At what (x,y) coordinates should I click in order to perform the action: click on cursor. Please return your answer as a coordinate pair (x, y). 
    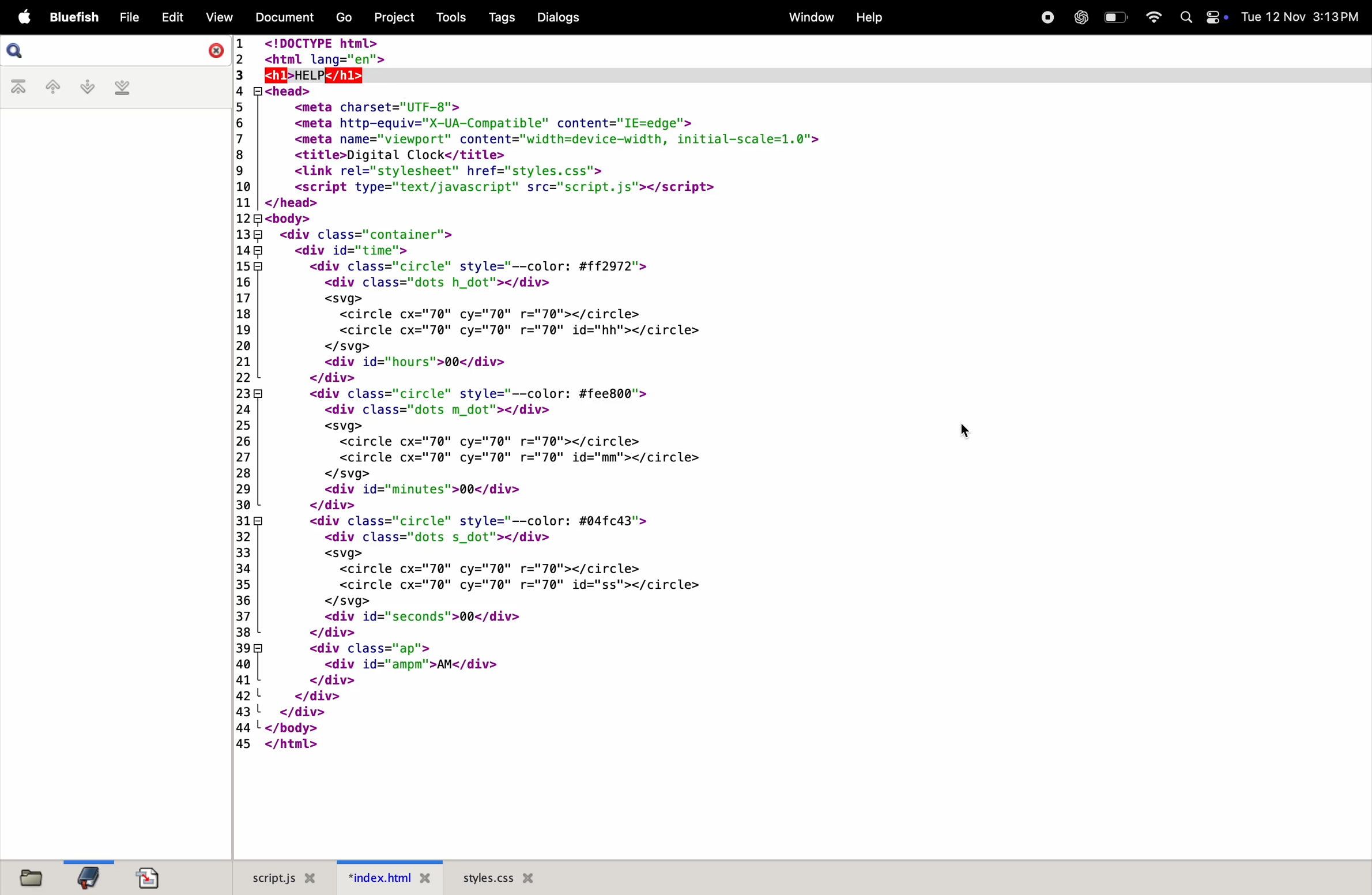
    Looking at the image, I should click on (962, 435).